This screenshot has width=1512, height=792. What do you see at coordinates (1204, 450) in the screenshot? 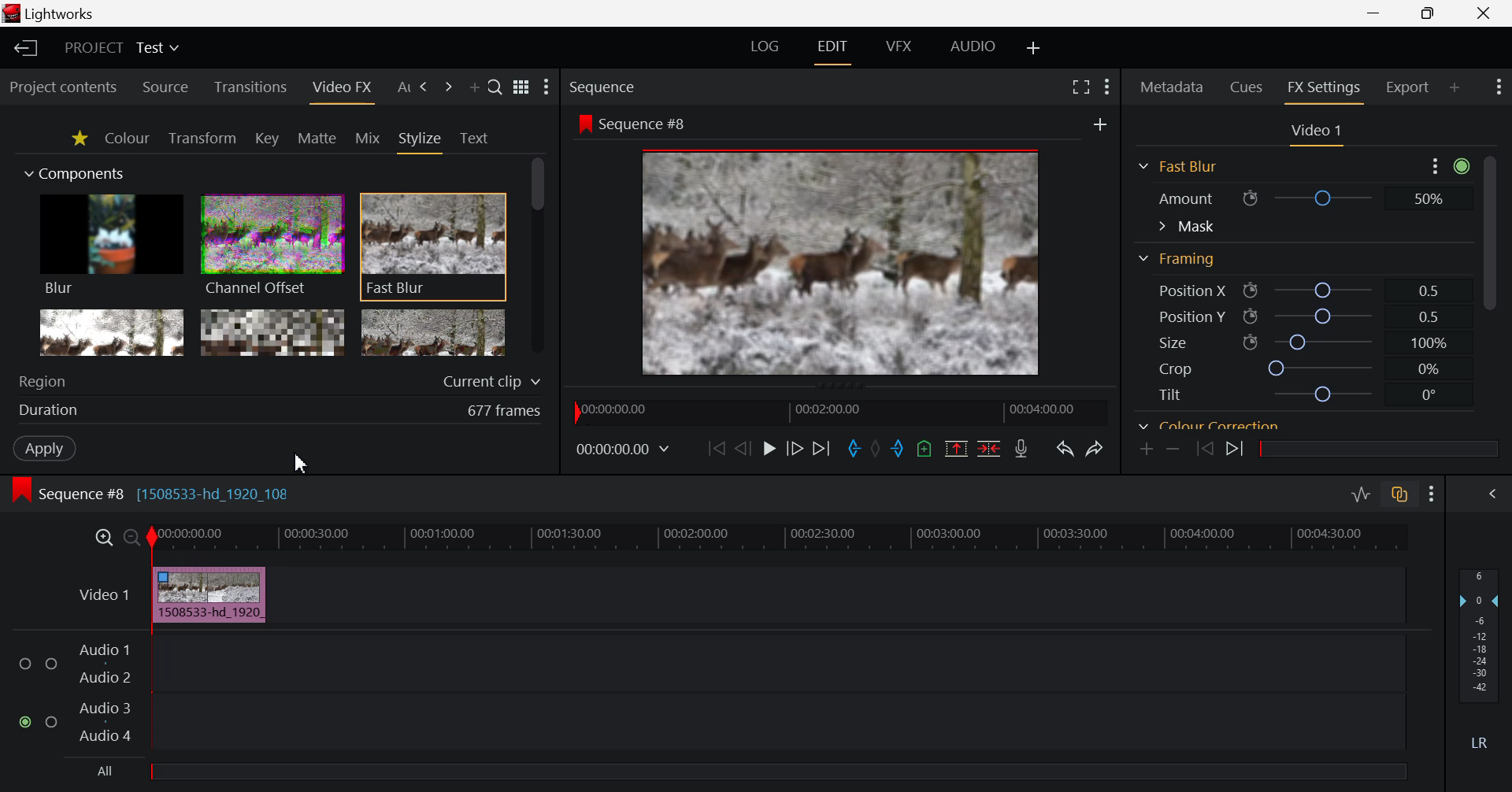
I see `Previous keyframe` at bounding box center [1204, 450].